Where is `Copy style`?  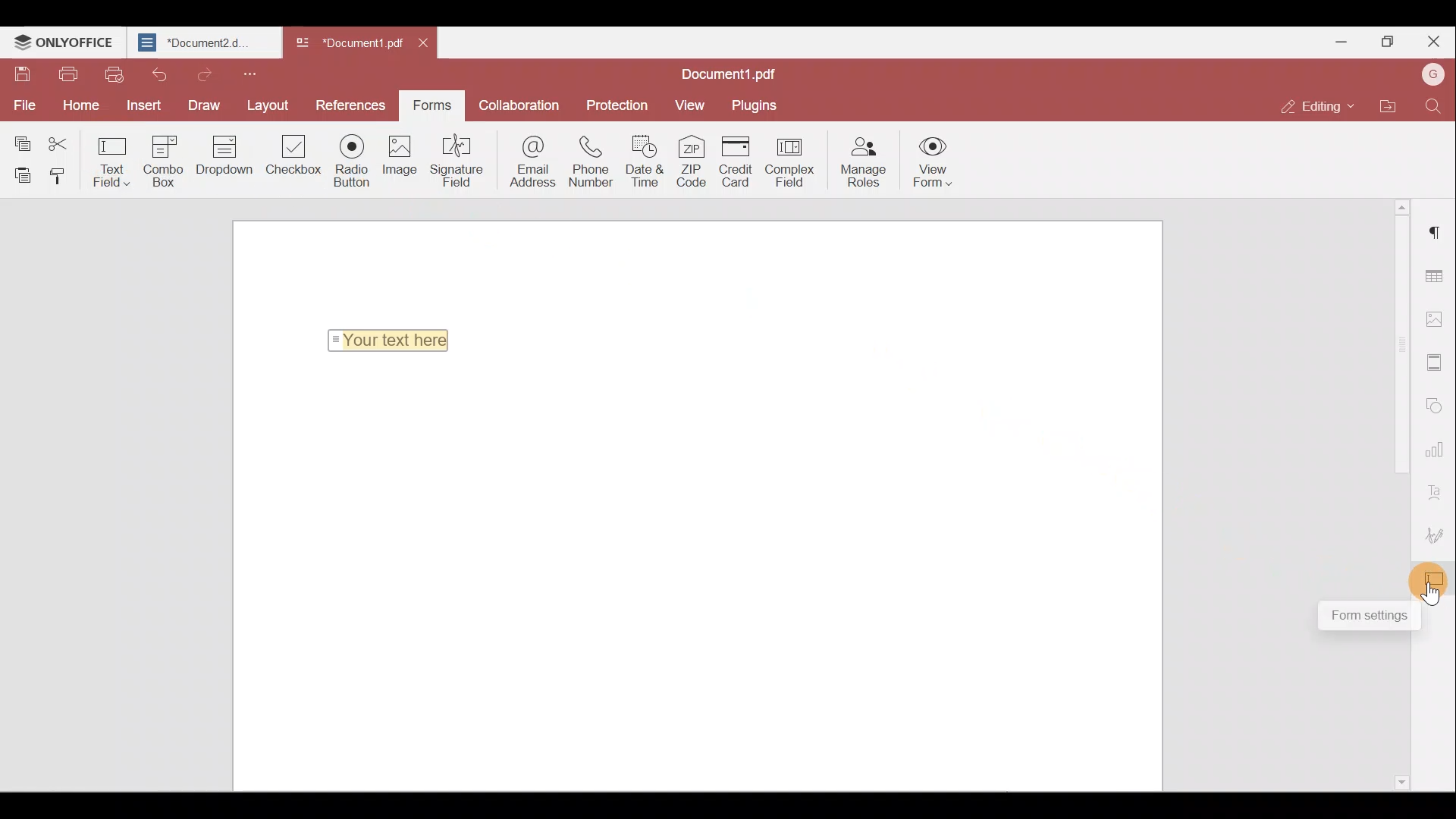
Copy style is located at coordinates (59, 178).